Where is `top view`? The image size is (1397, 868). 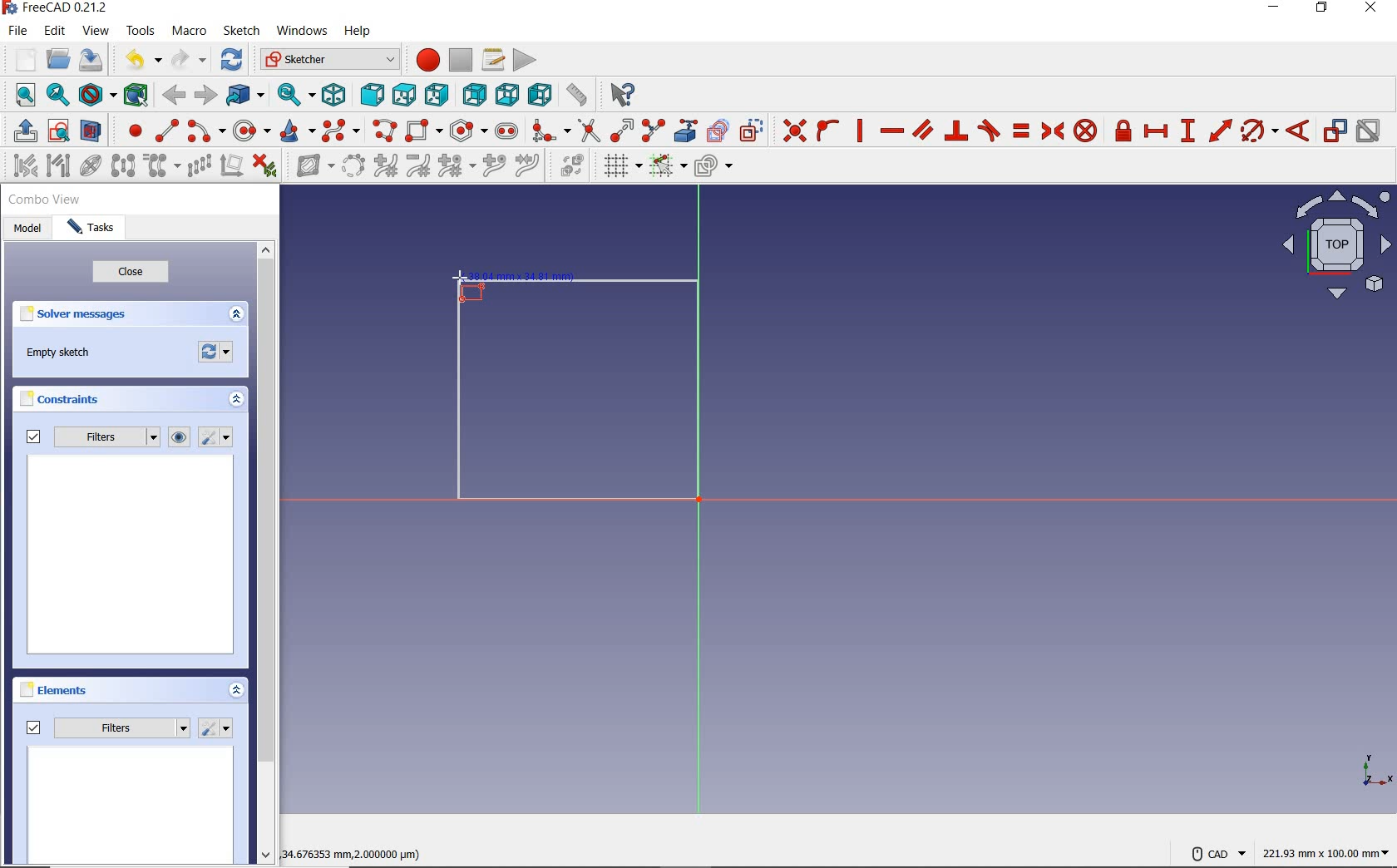 top view is located at coordinates (1335, 249).